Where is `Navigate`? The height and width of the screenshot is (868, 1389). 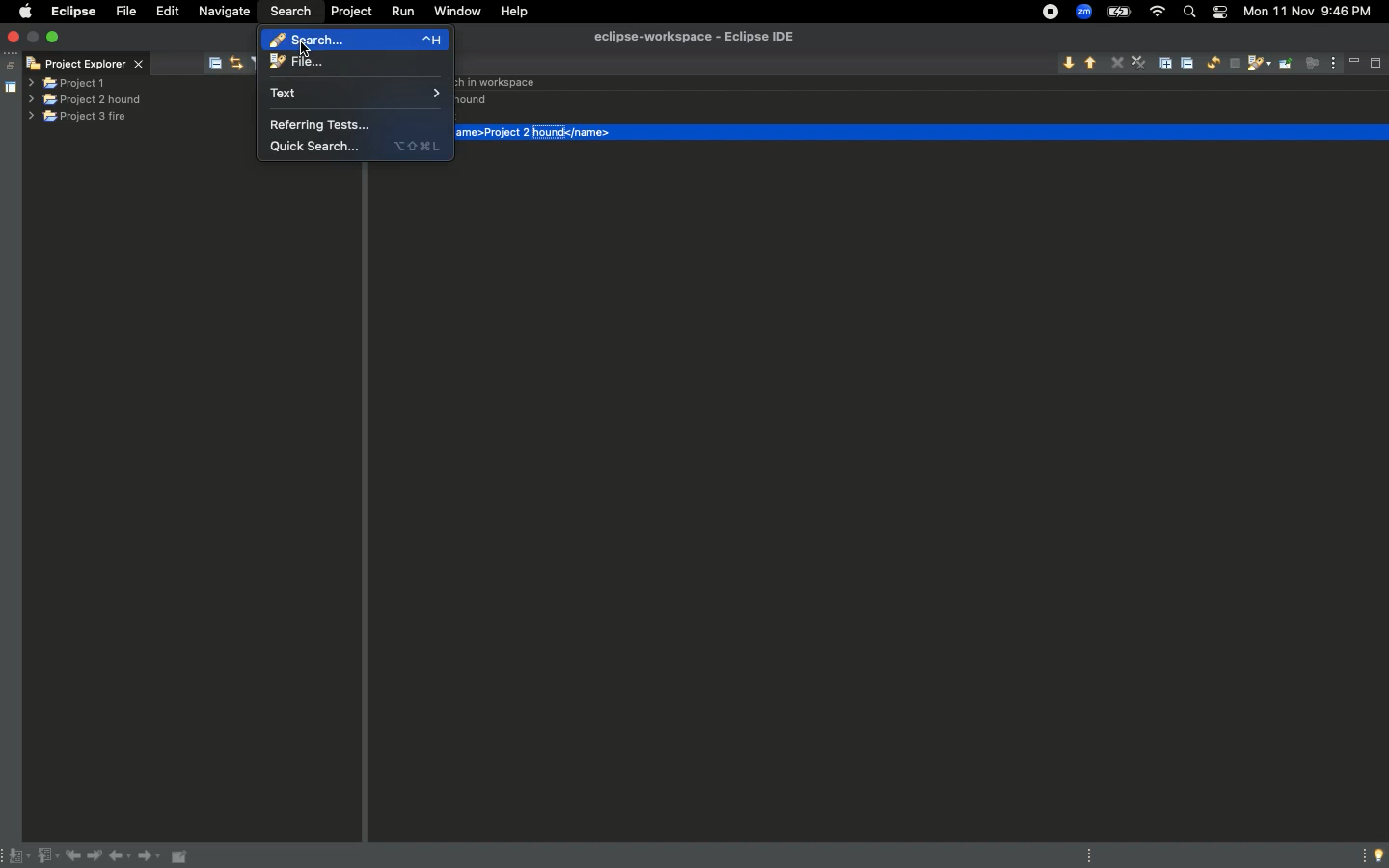
Navigate is located at coordinates (224, 11).